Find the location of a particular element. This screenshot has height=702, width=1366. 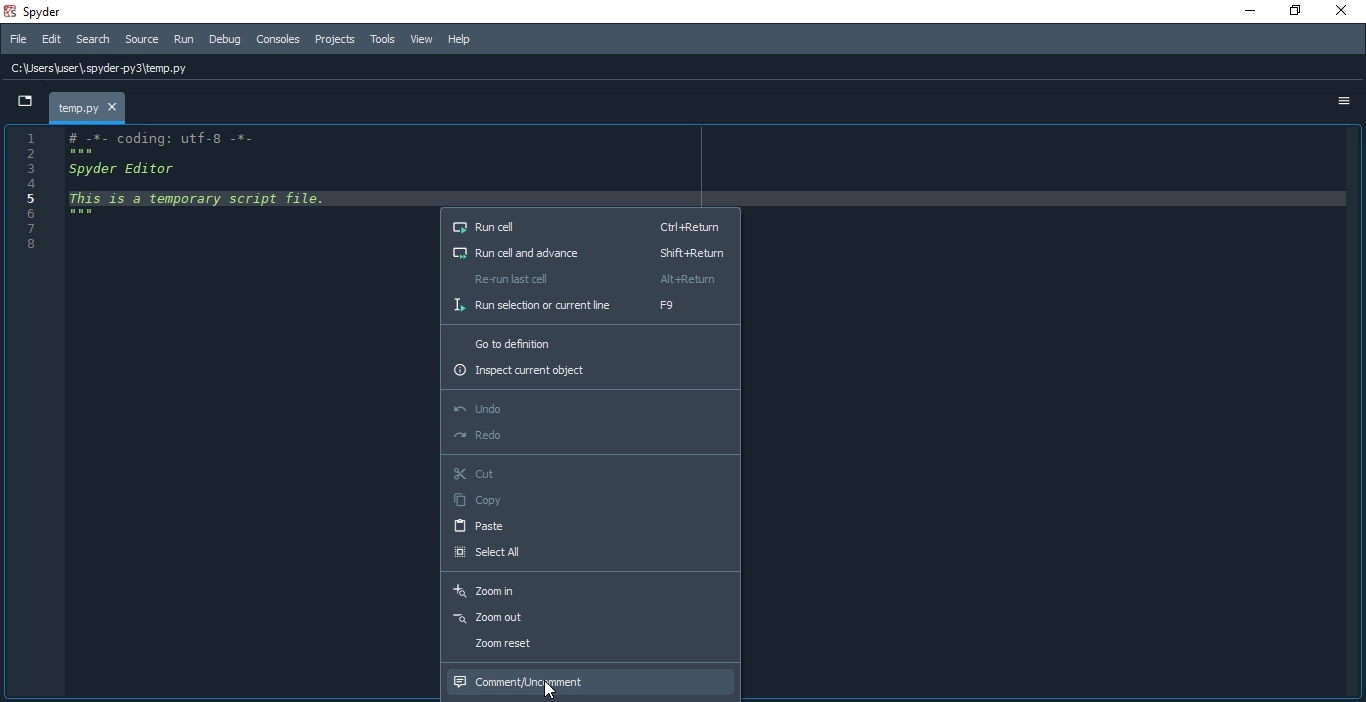

Search is located at coordinates (94, 42).